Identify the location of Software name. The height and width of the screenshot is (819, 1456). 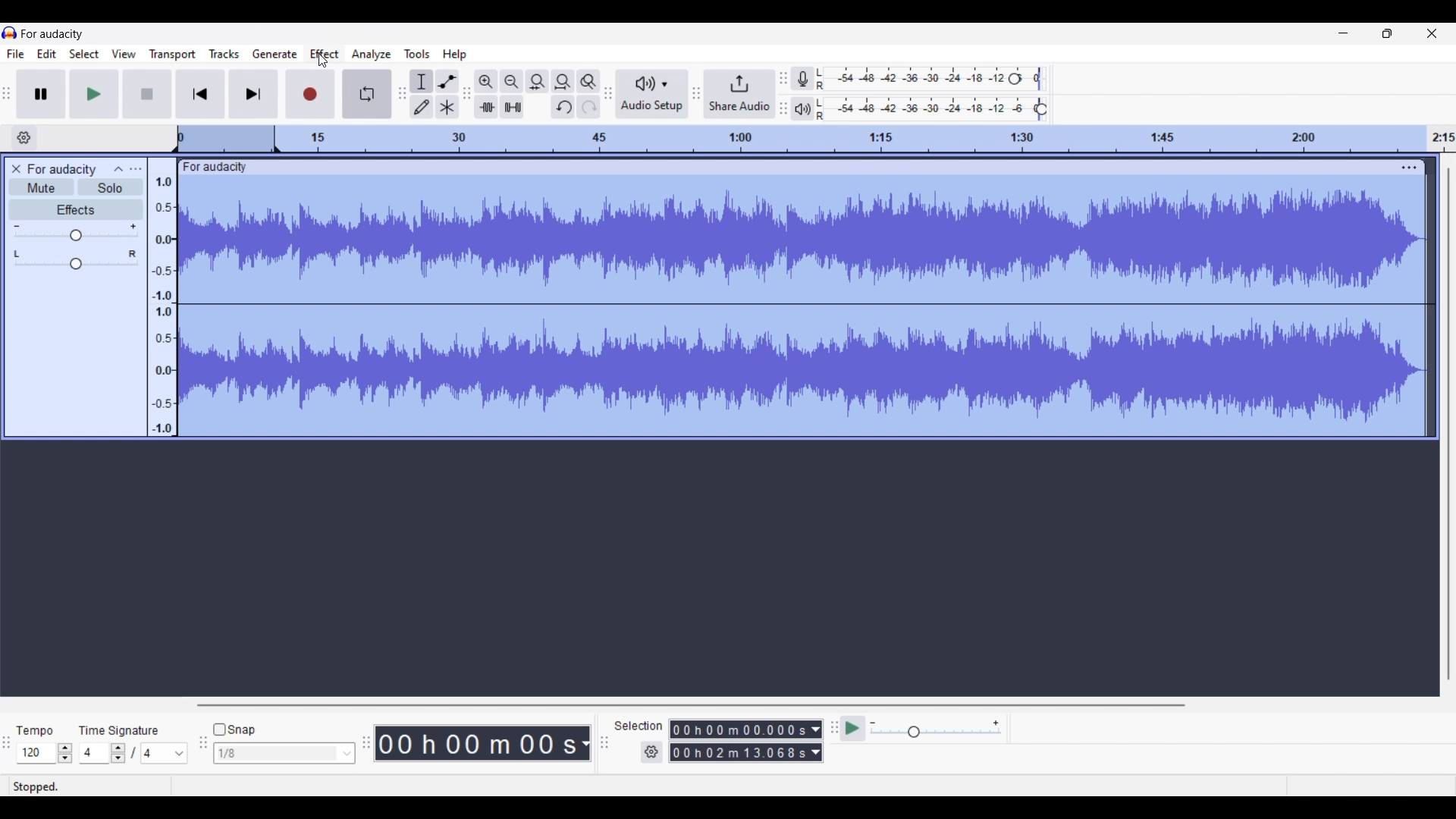
(53, 33).